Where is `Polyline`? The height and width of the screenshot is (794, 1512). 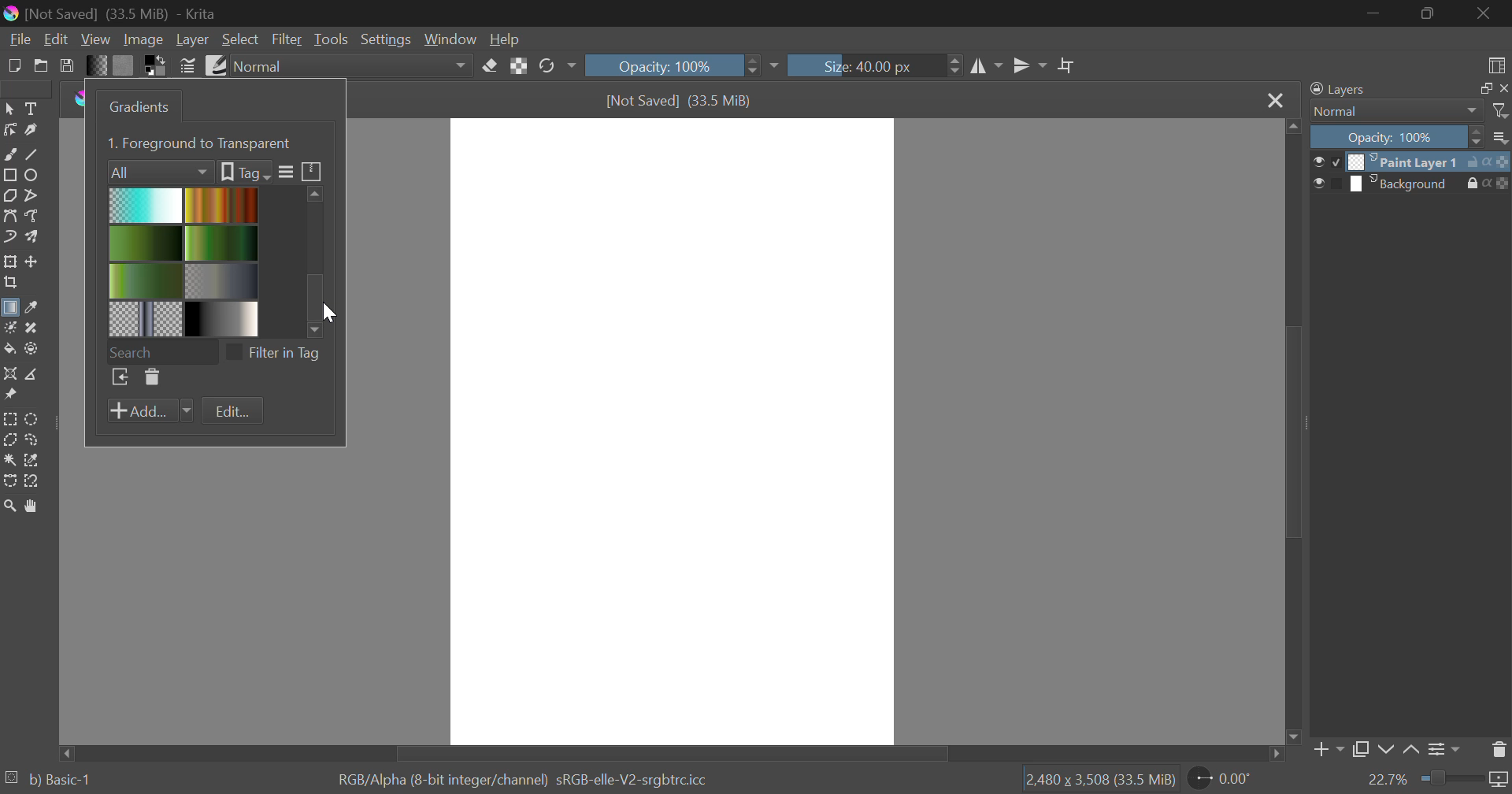 Polyline is located at coordinates (30, 194).